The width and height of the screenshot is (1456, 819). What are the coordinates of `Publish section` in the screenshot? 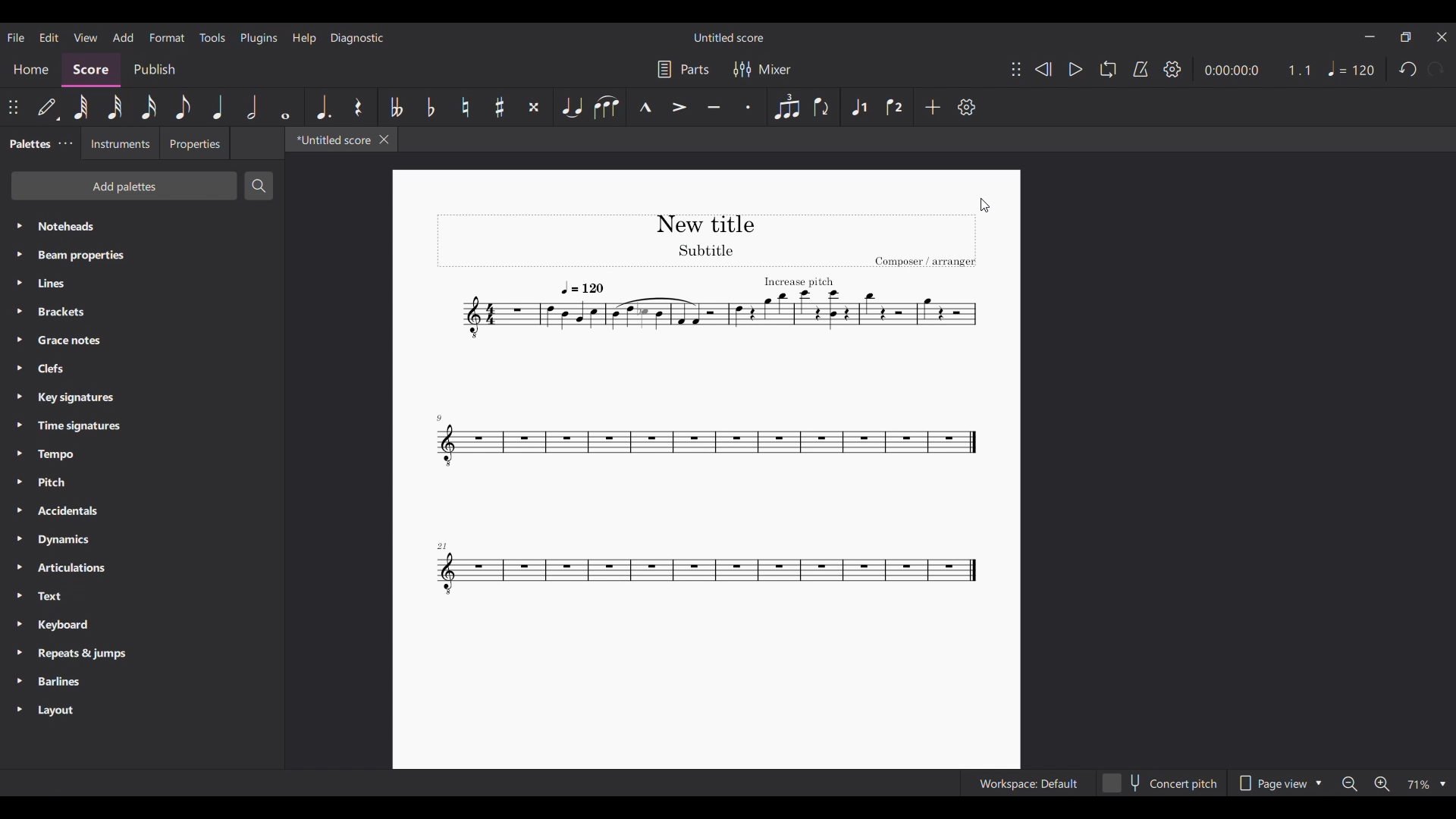 It's located at (155, 70).